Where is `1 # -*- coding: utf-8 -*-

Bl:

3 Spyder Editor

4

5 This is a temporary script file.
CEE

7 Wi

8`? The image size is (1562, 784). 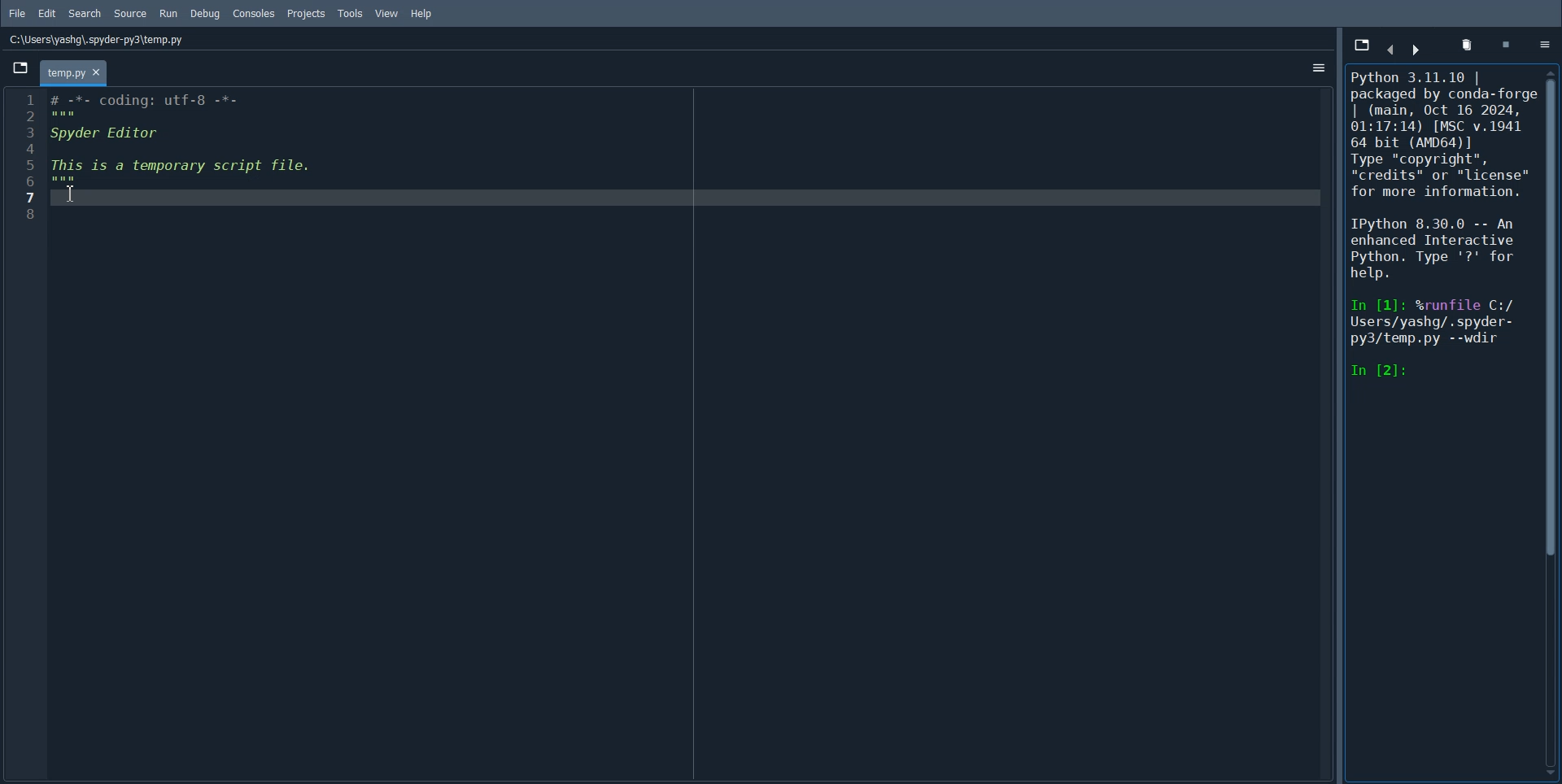 1 # -*- coding: utf-8 -*-

Bl:

3 Spyder Editor

4

5 This is a temporary script file.
CEE

7 Wi

8 is located at coordinates (172, 165).